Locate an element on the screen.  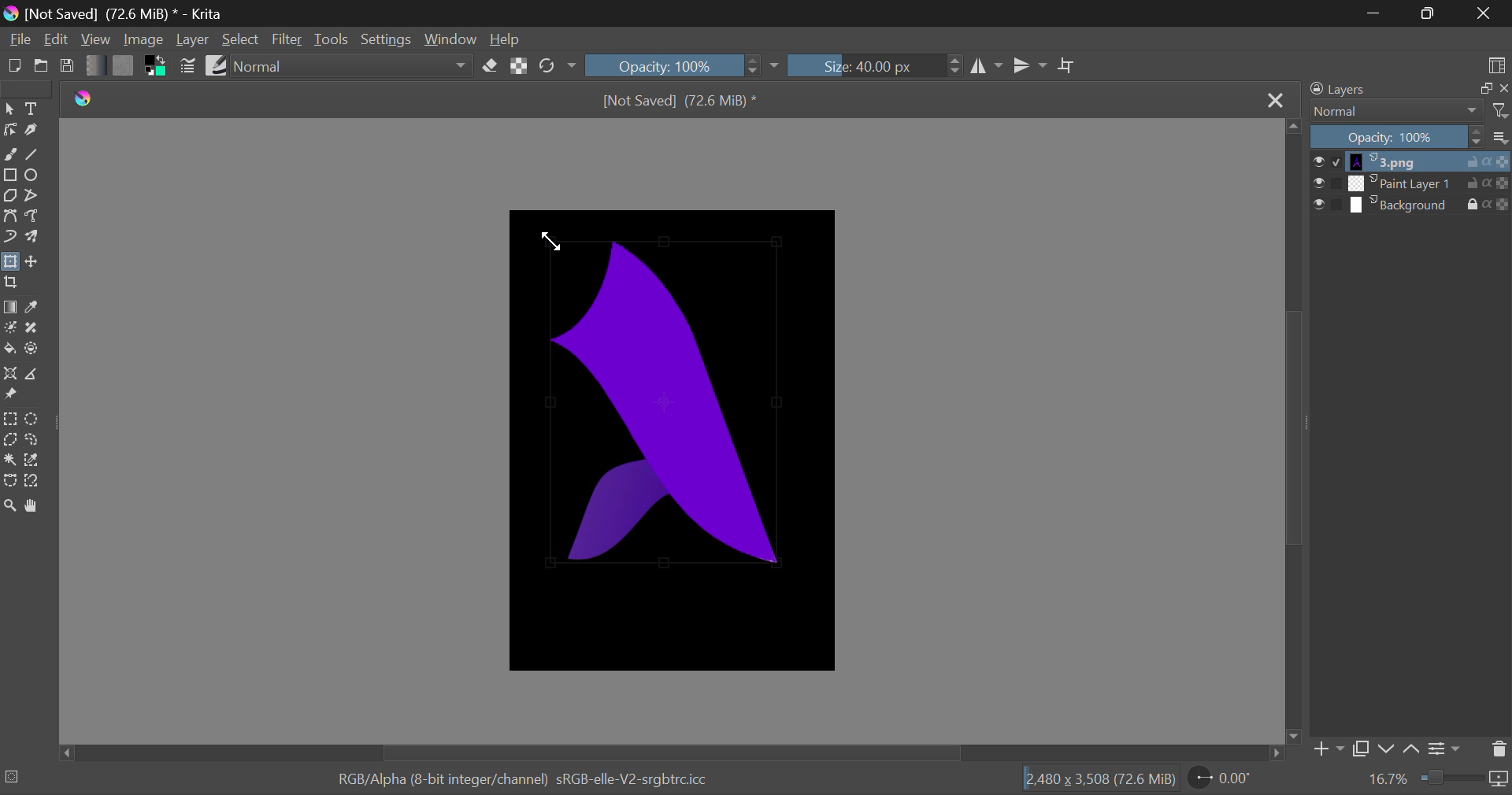
actions is located at coordinates (1489, 183).